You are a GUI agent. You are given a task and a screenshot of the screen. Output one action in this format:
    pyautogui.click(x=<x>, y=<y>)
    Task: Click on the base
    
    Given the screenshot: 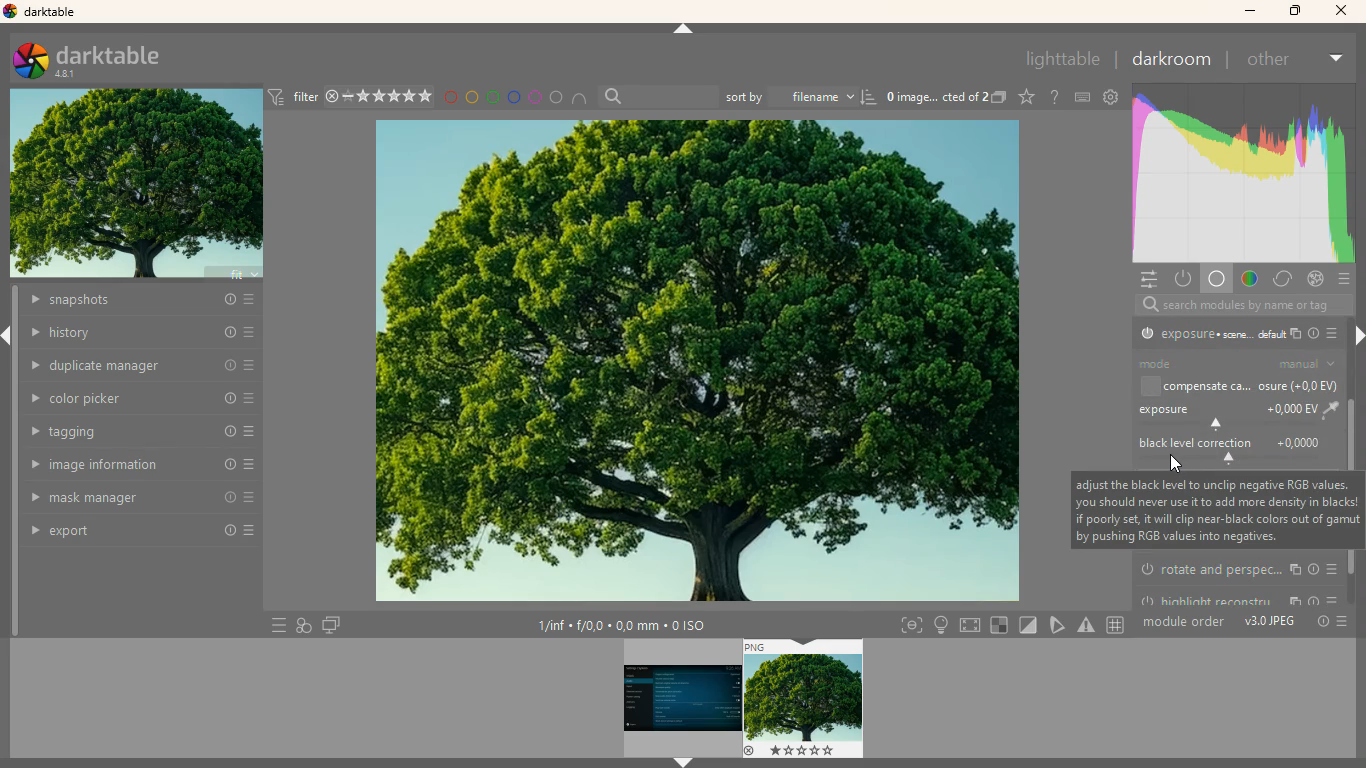 What is the action you would take?
    pyautogui.click(x=1217, y=279)
    